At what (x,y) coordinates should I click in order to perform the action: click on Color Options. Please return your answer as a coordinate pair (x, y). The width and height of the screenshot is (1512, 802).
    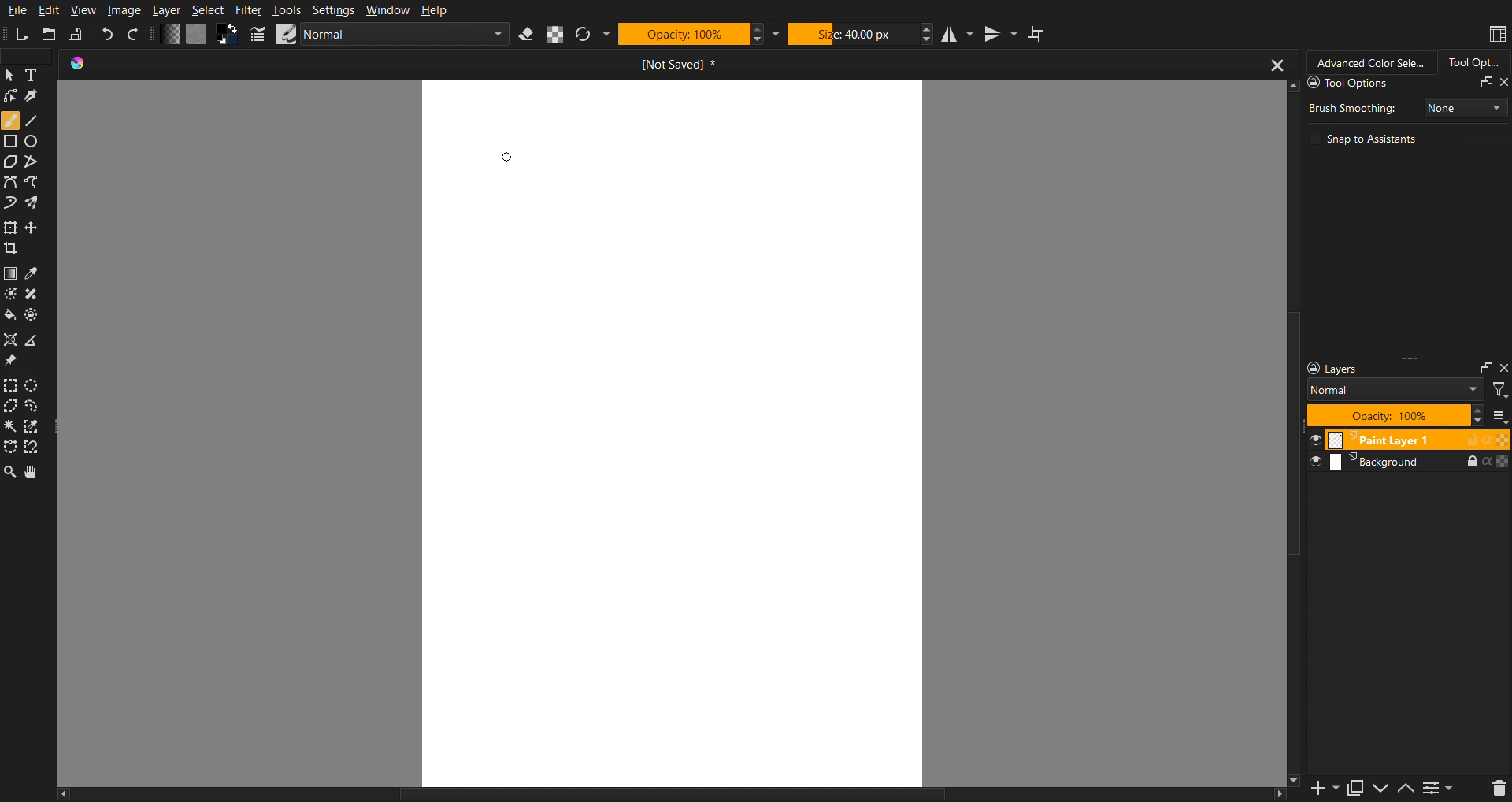
    Looking at the image, I should click on (9, 273).